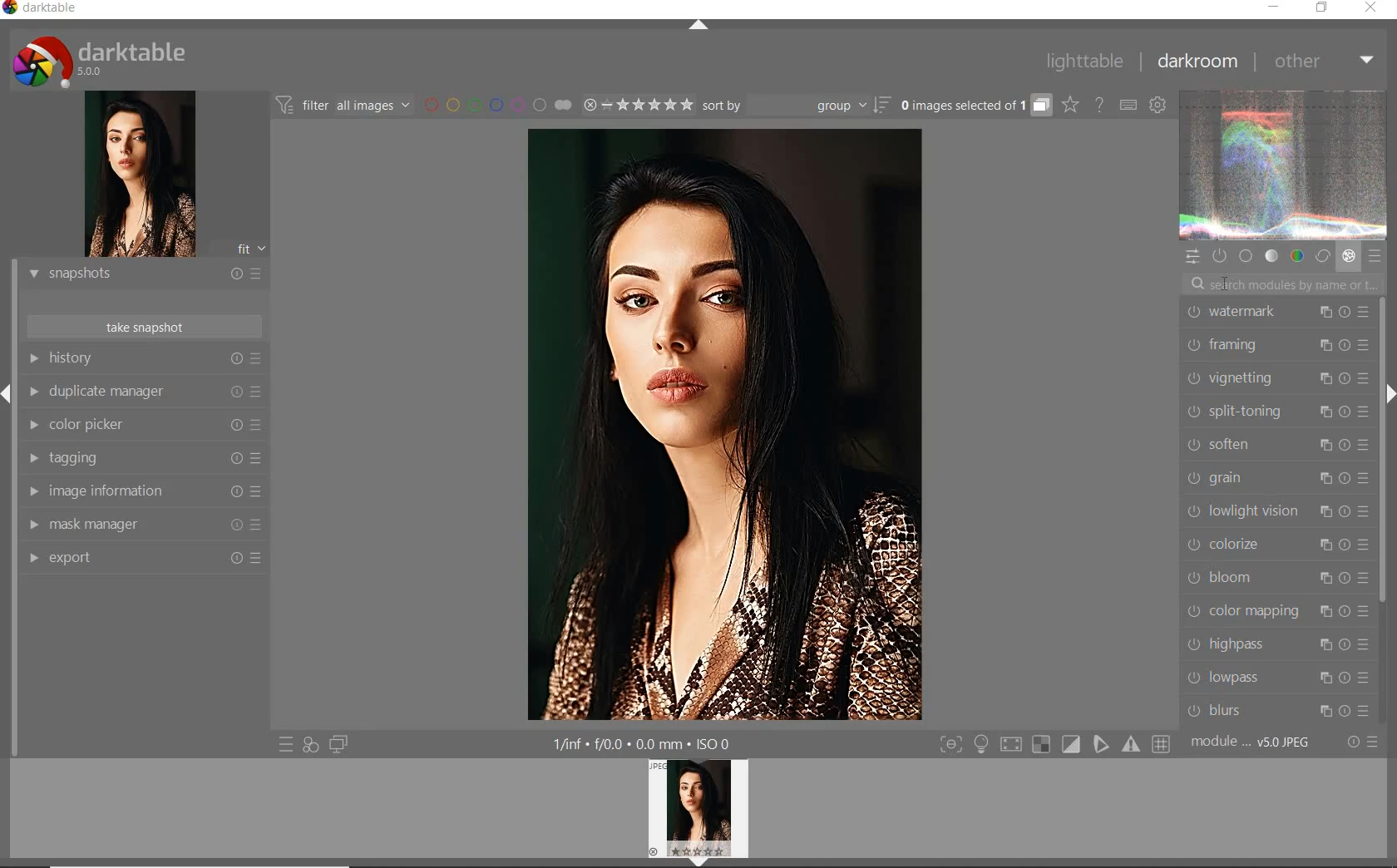 This screenshot has width=1397, height=868. I want to click on SOFTEN, so click(1276, 444).